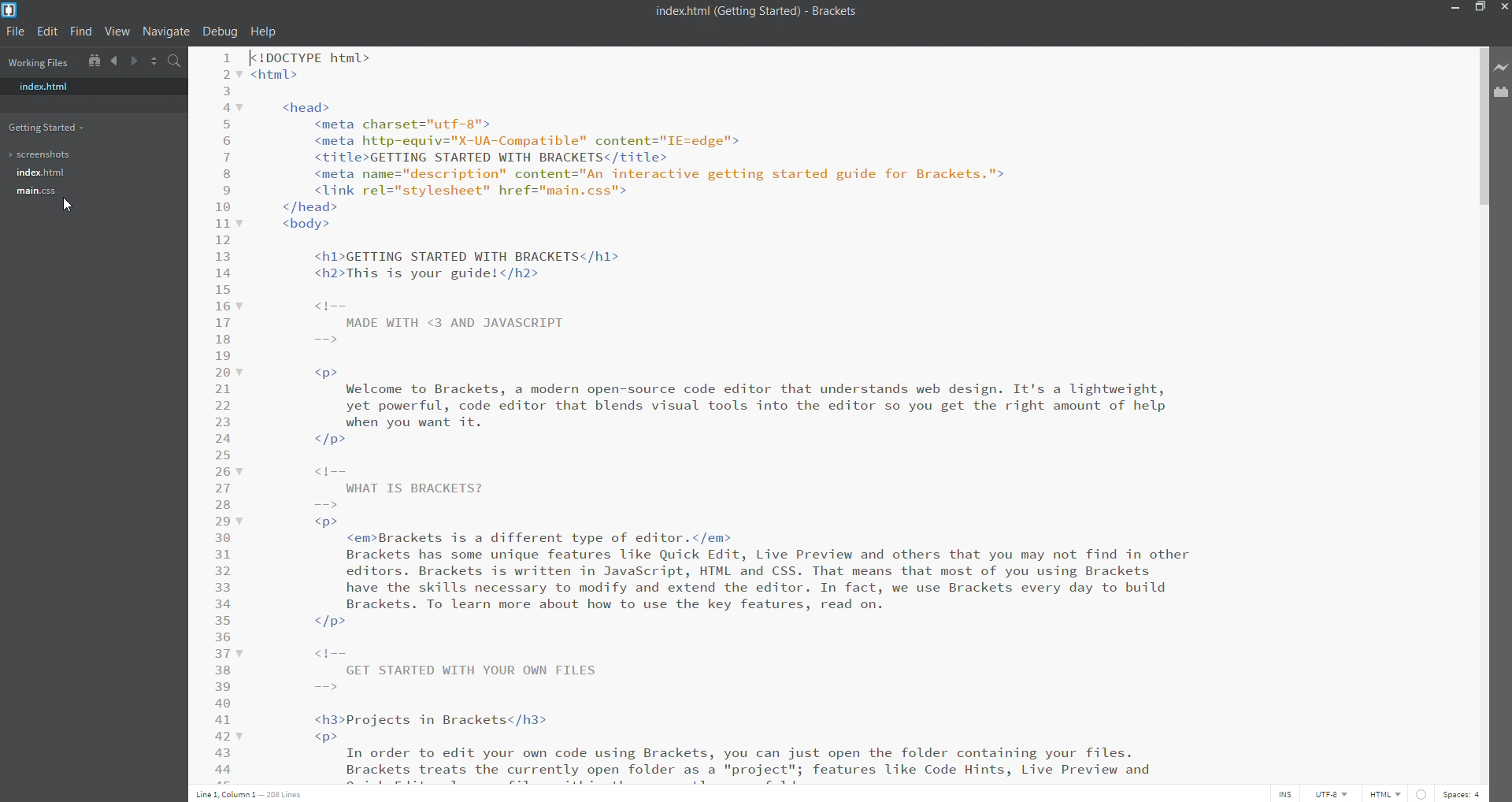  What do you see at coordinates (48, 128) in the screenshot?
I see `Getting Started` at bounding box center [48, 128].